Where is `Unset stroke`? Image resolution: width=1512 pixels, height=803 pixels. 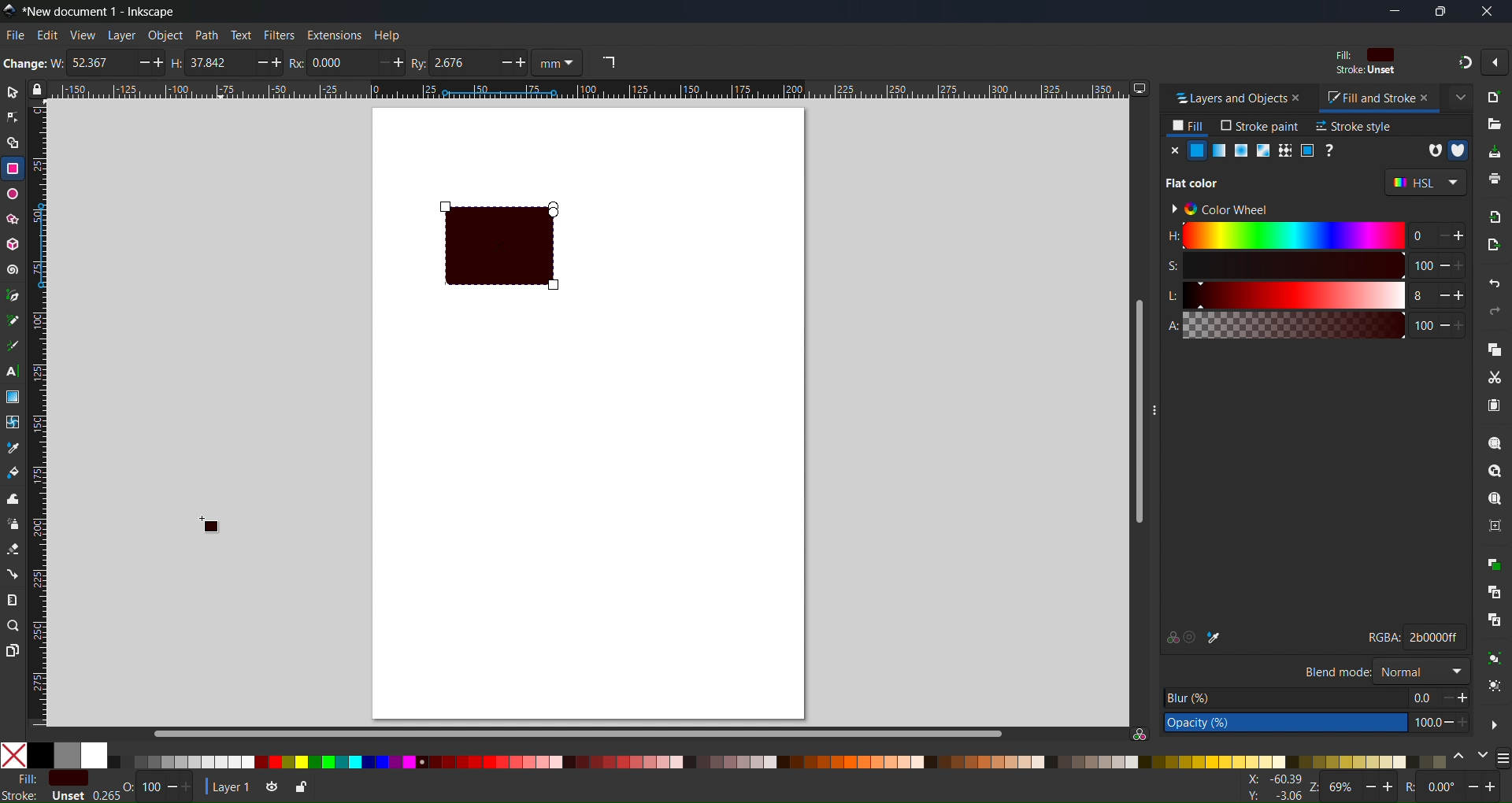
Unset stroke is located at coordinates (1365, 72).